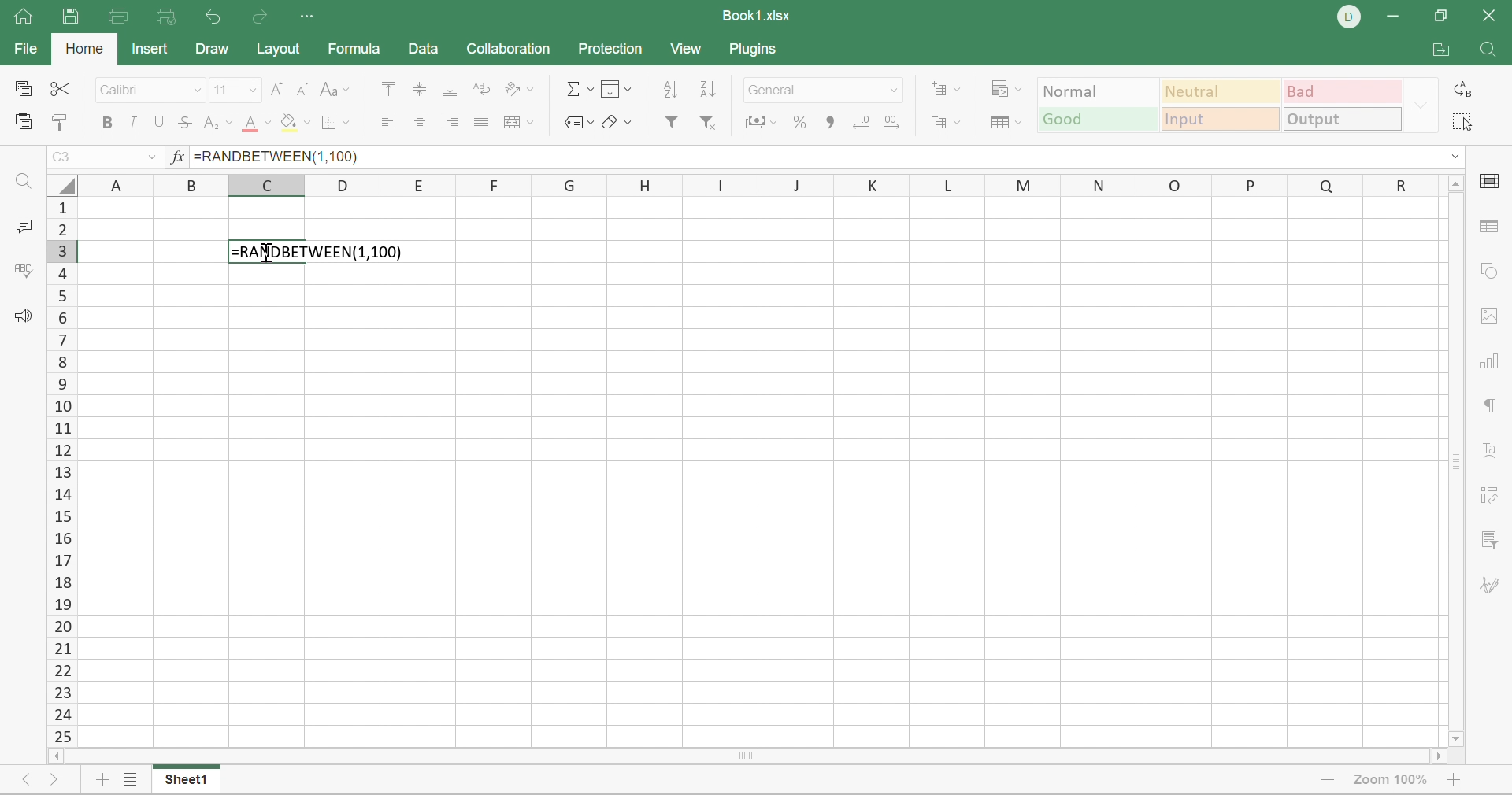 Image resolution: width=1512 pixels, height=795 pixels. What do you see at coordinates (54, 754) in the screenshot?
I see `Scroll Left` at bounding box center [54, 754].